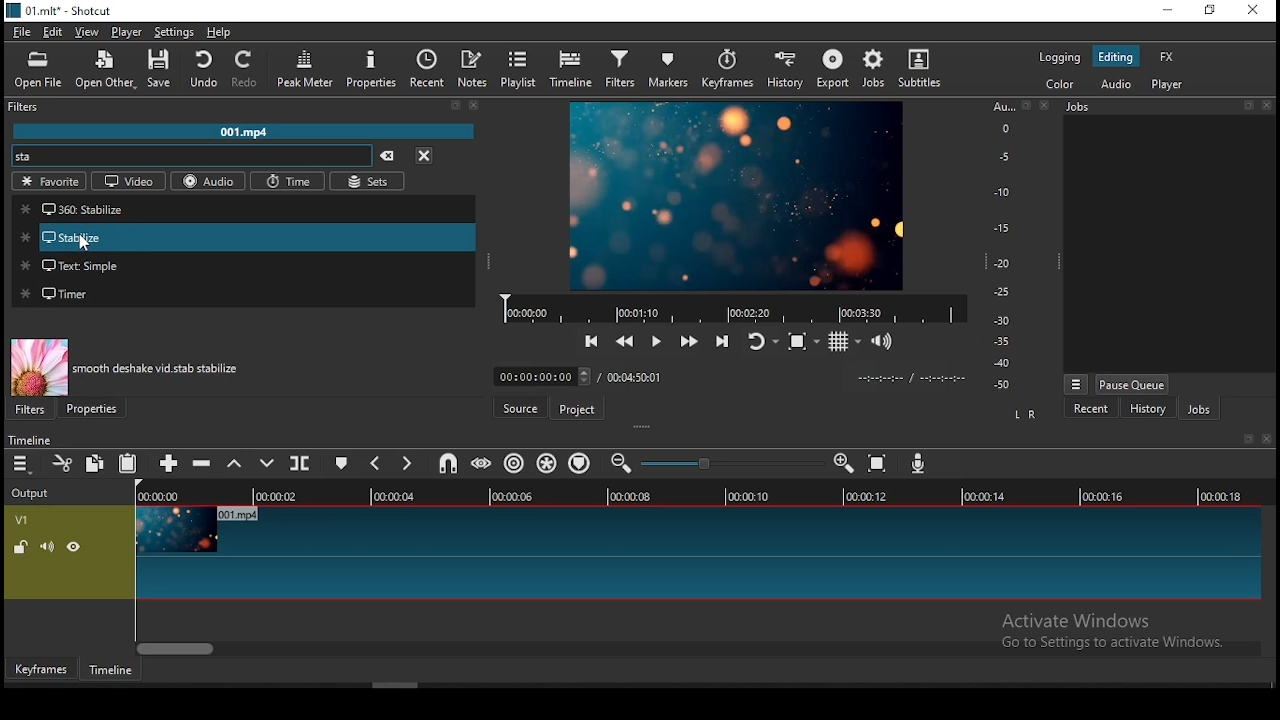 The height and width of the screenshot is (720, 1280). What do you see at coordinates (244, 70) in the screenshot?
I see `Redo` at bounding box center [244, 70].